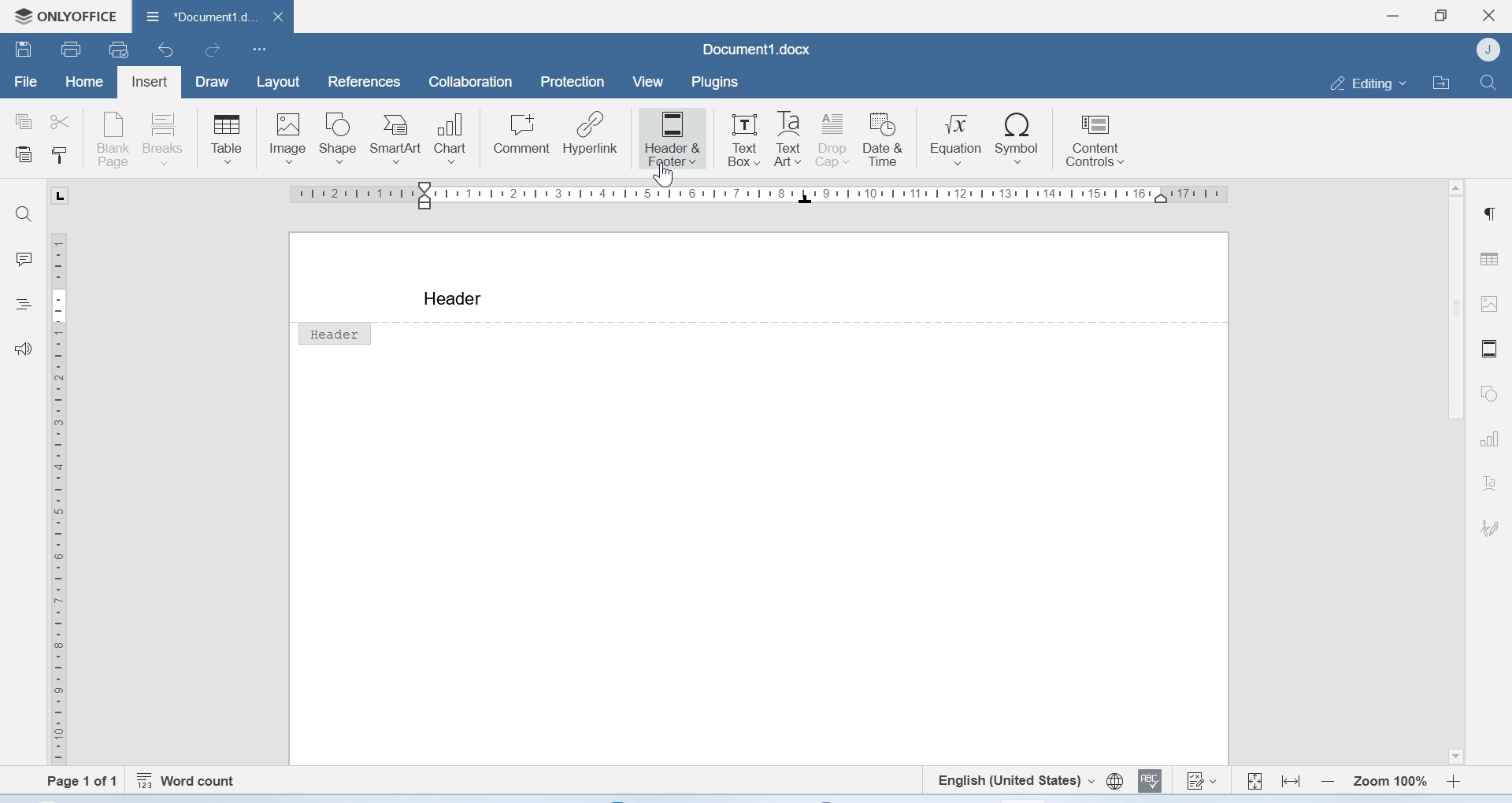 The height and width of the screenshot is (803, 1512). Describe the element at coordinates (1016, 780) in the screenshot. I see `Set text language` at that location.